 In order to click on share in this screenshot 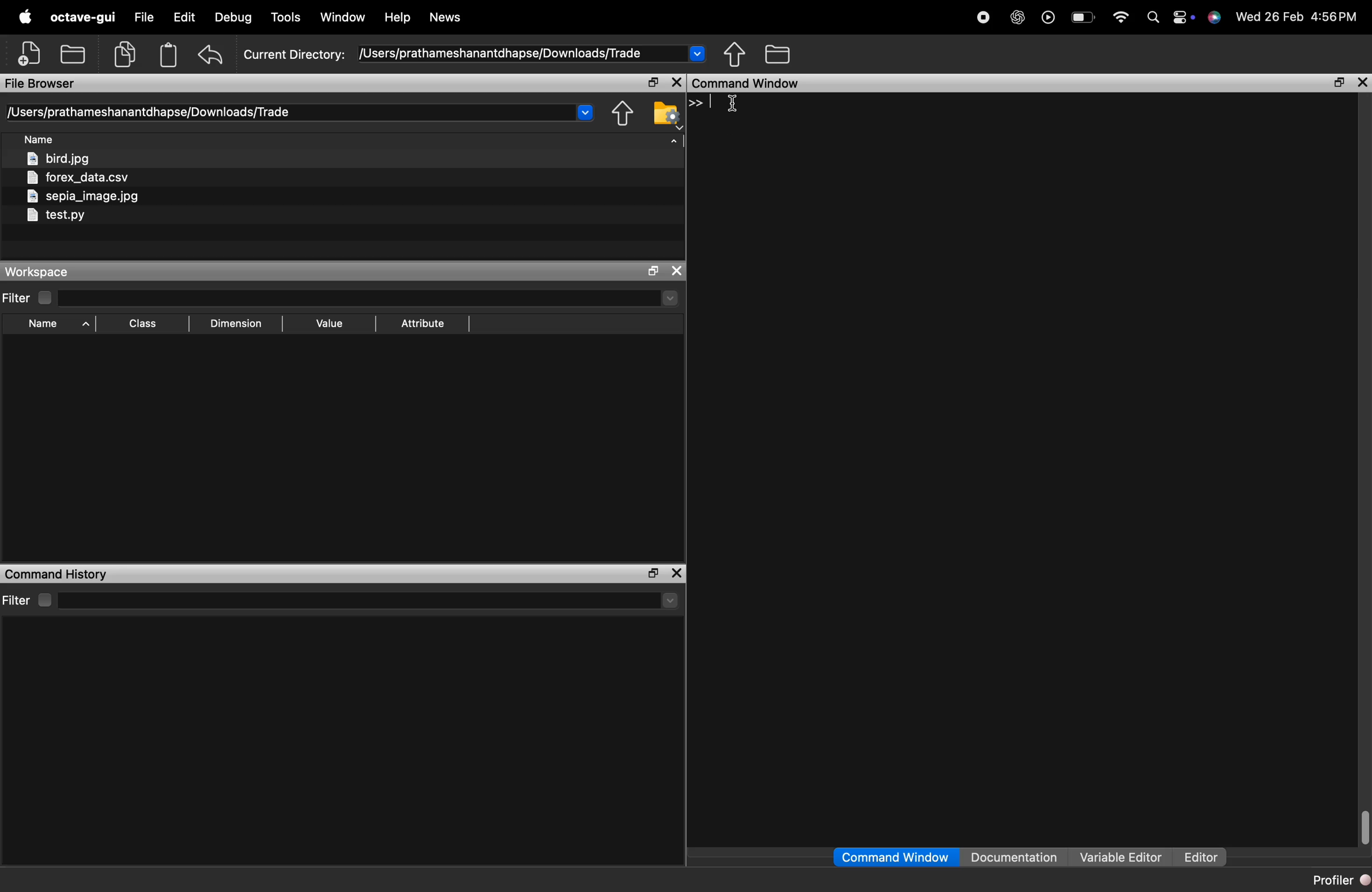, I will do `click(735, 55)`.